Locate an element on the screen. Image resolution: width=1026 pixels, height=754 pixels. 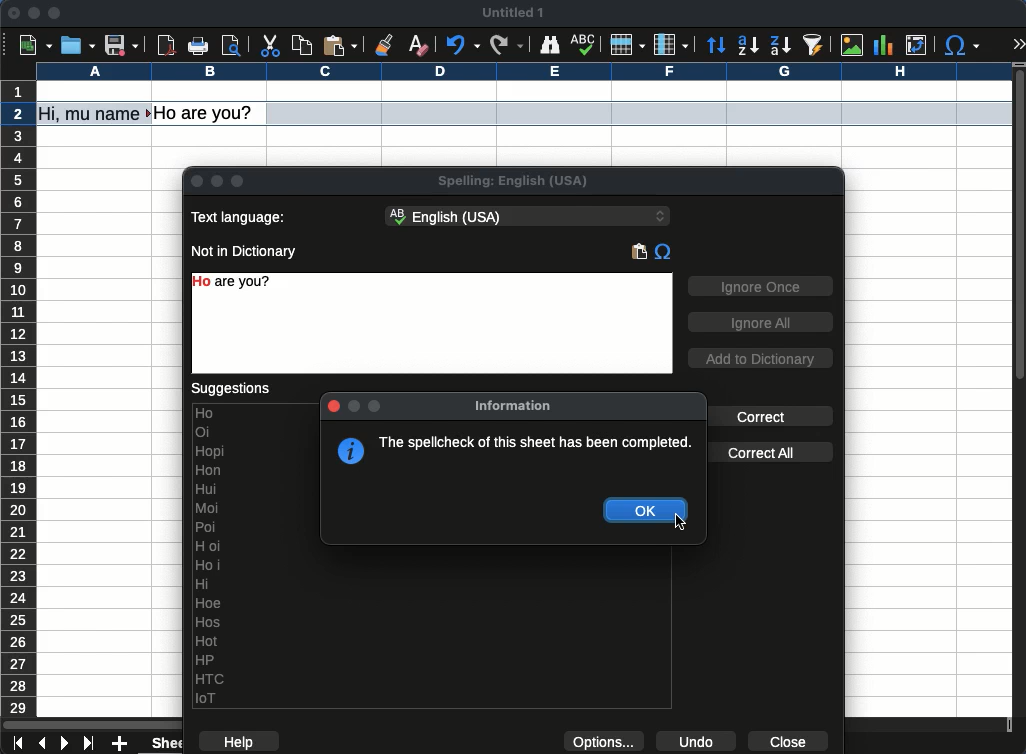
Moi is located at coordinates (210, 507).